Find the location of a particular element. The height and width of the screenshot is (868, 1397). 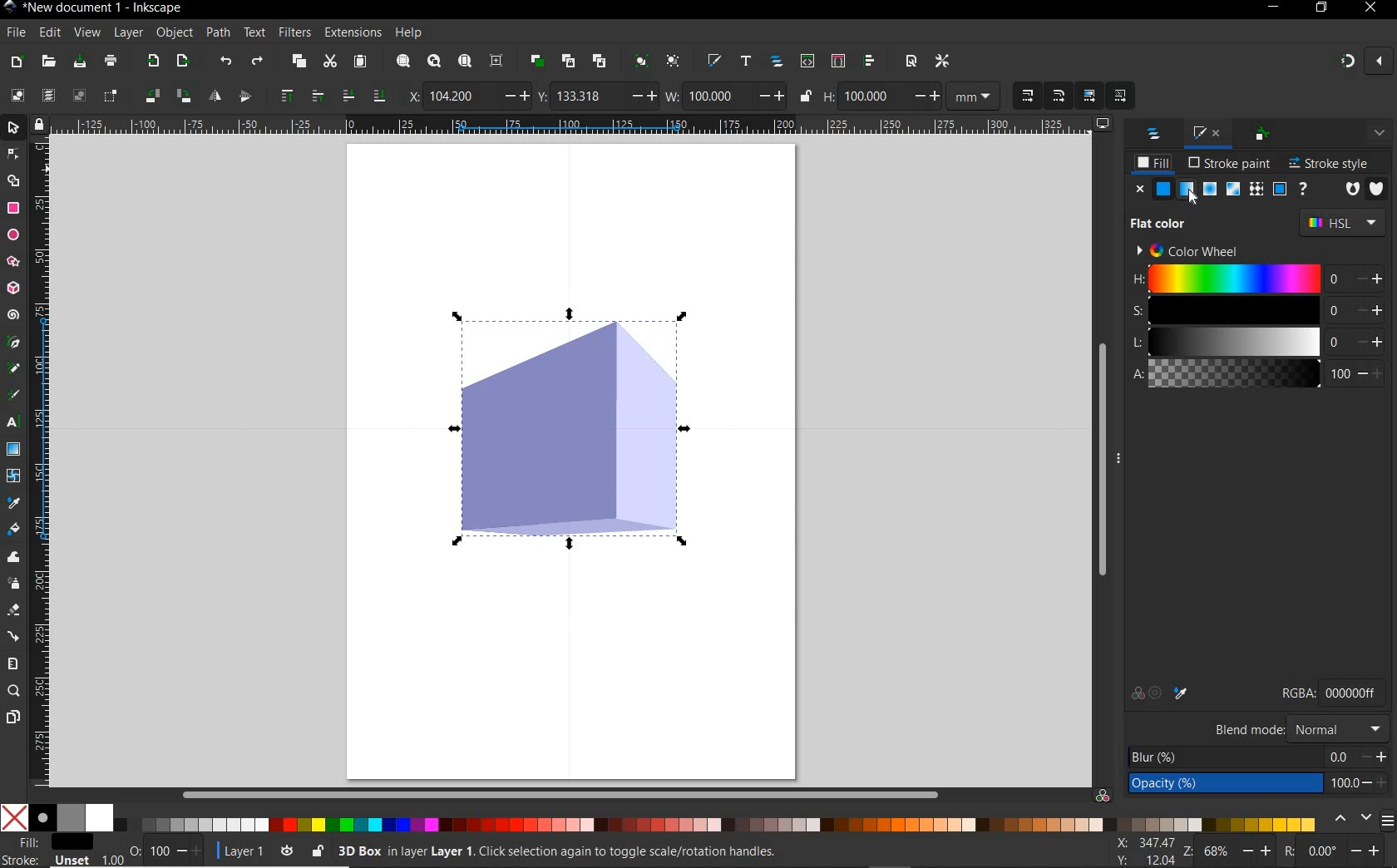

ZOOM is located at coordinates (1186, 851).